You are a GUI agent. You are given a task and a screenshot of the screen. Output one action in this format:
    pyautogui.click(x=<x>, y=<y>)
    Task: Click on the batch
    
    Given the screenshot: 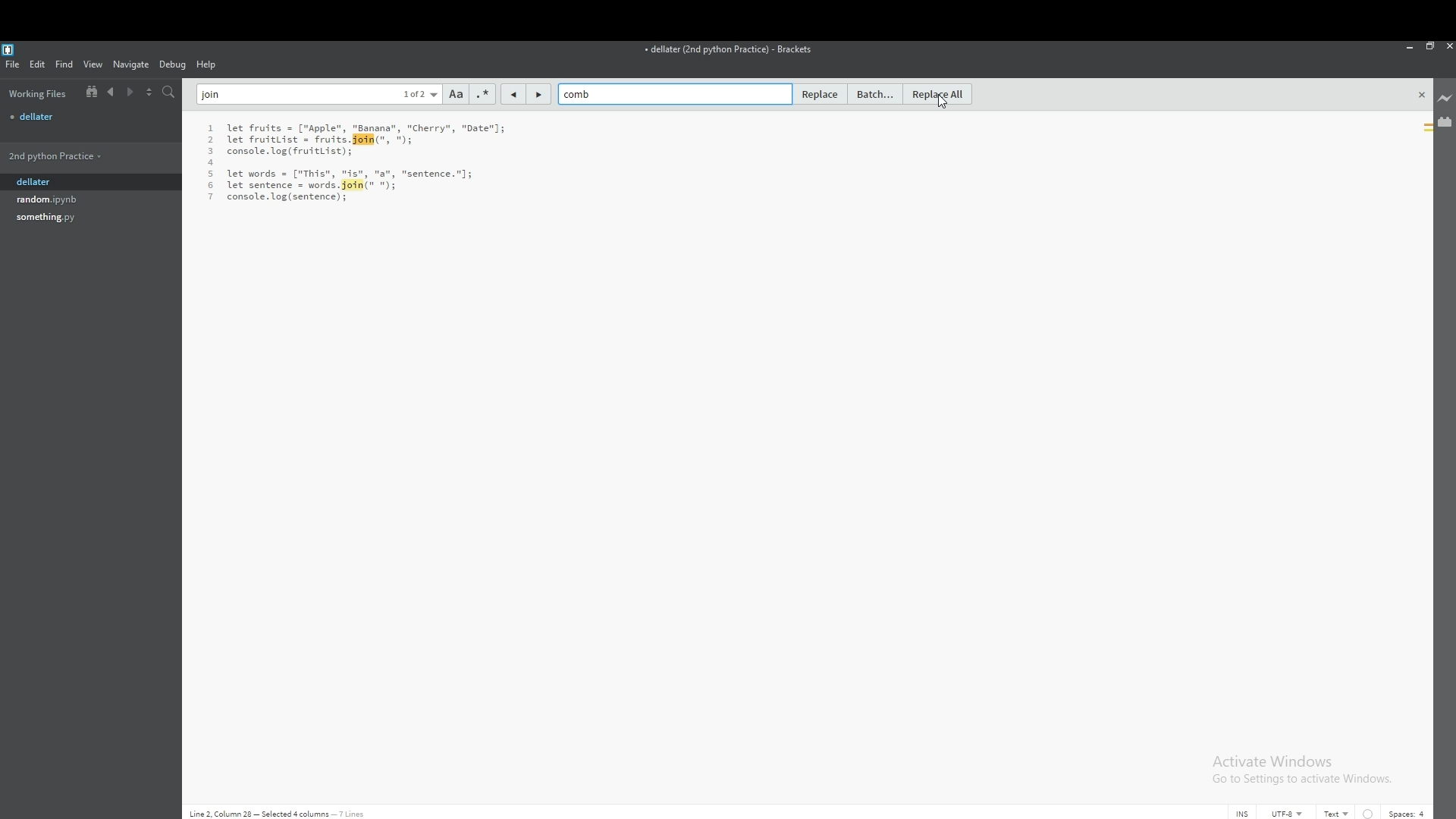 What is the action you would take?
    pyautogui.click(x=877, y=95)
    